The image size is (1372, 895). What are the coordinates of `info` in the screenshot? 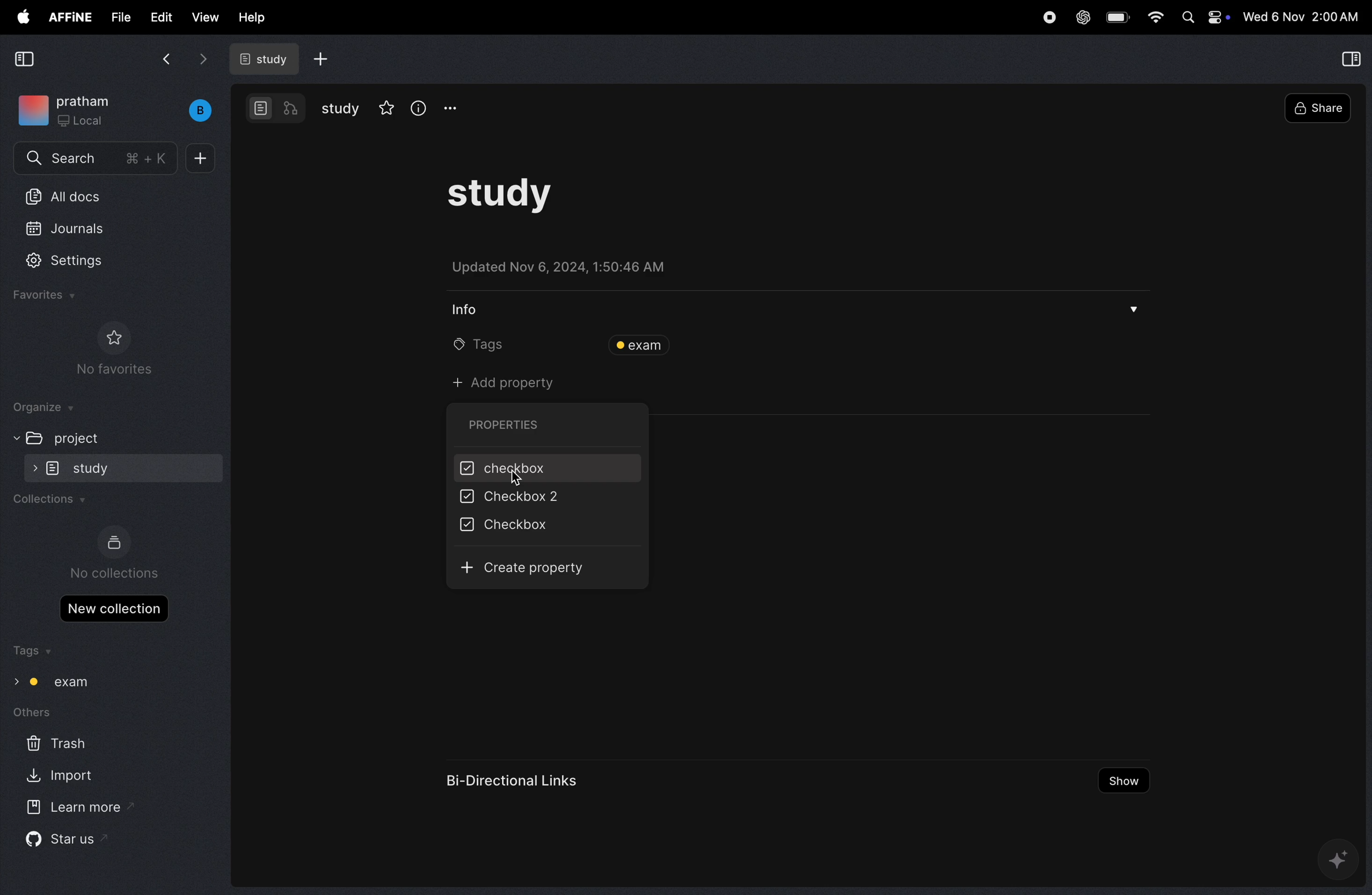 It's located at (416, 107).